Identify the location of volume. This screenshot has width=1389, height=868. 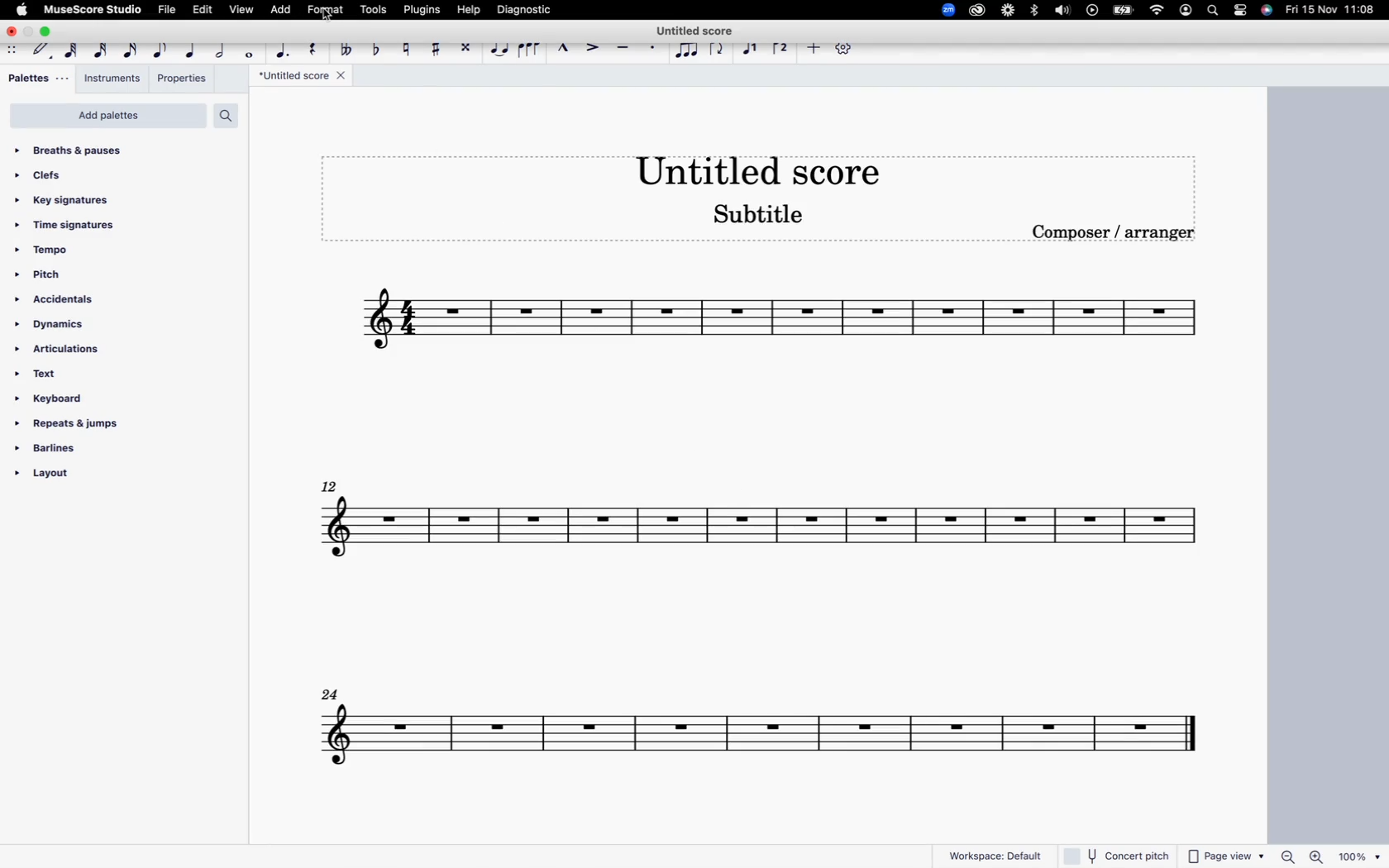
(1064, 12).